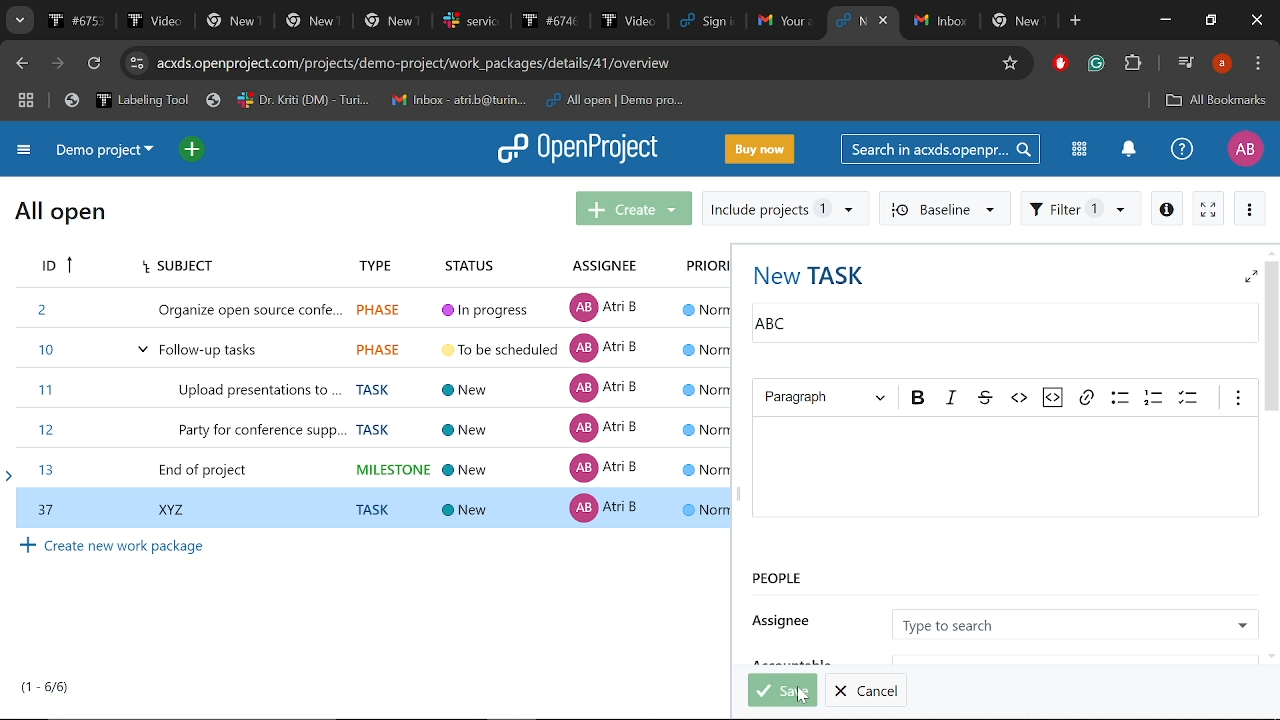  What do you see at coordinates (998, 326) in the screenshot?
I see `Task named "ABC"` at bounding box center [998, 326].